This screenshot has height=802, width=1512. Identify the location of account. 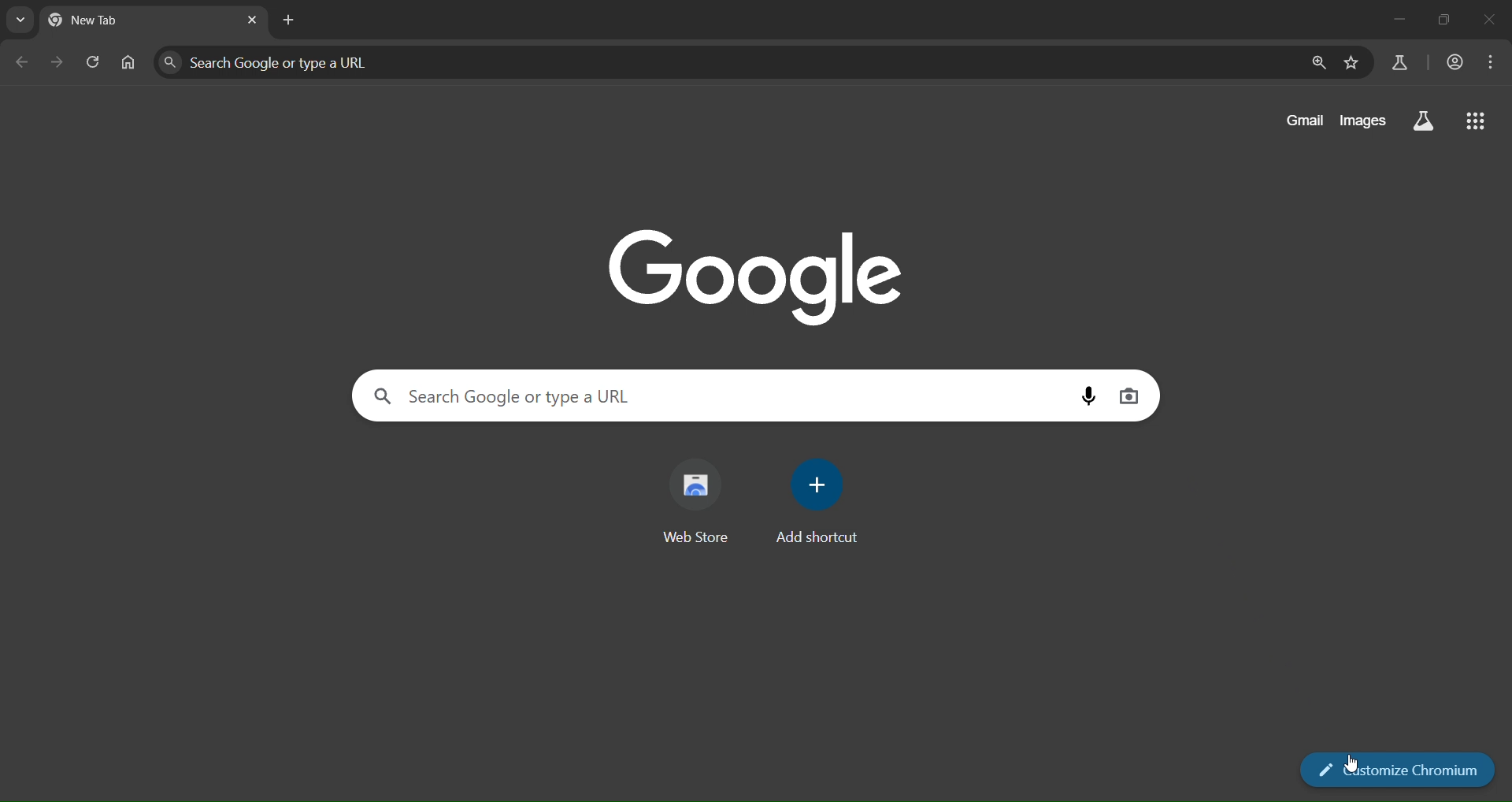
(1452, 64).